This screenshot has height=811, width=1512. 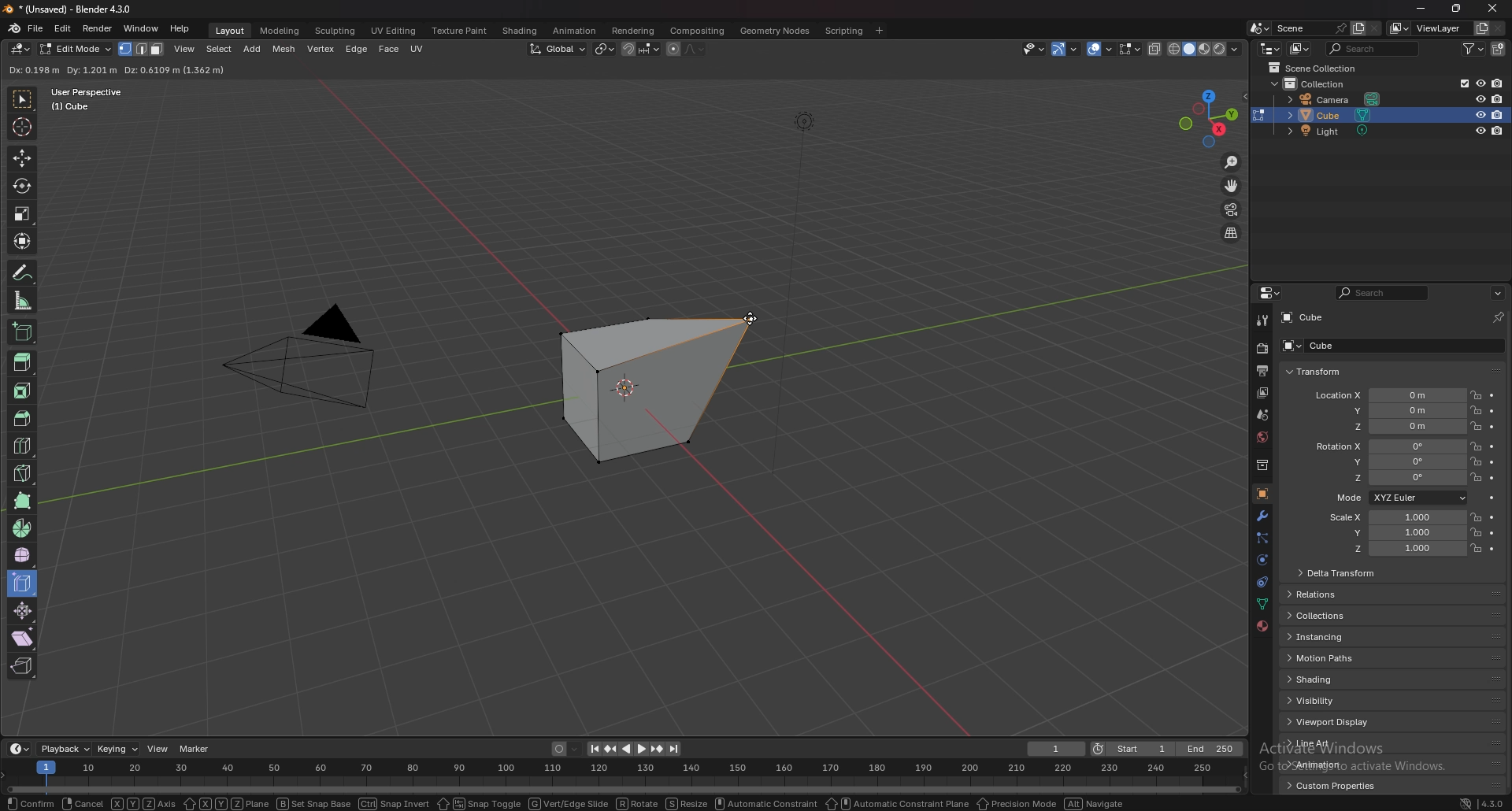 I want to click on smooth, so click(x=24, y=554).